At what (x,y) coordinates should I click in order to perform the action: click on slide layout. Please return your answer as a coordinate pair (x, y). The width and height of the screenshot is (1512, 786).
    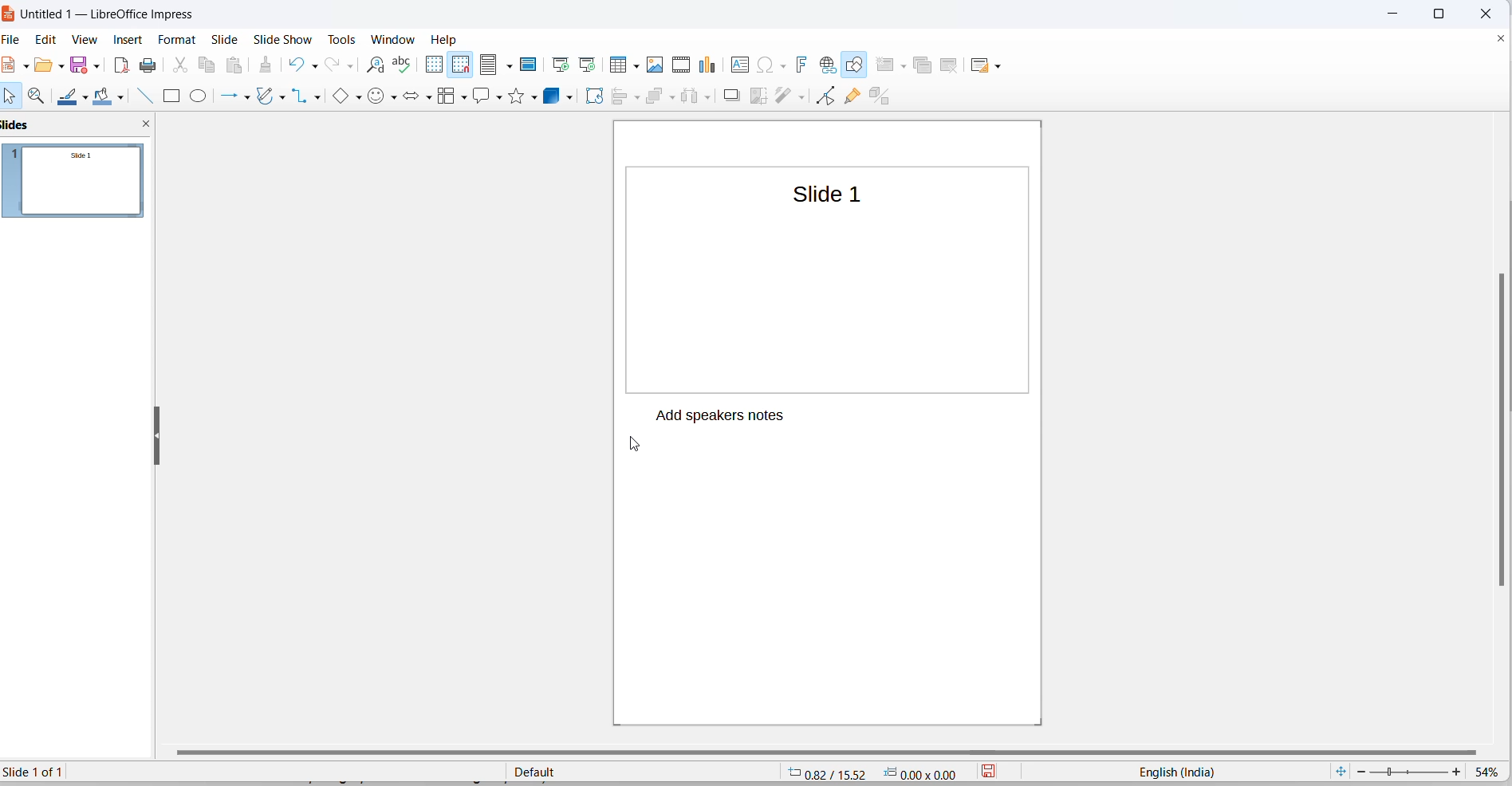
    Looking at the image, I should click on (982, 64).